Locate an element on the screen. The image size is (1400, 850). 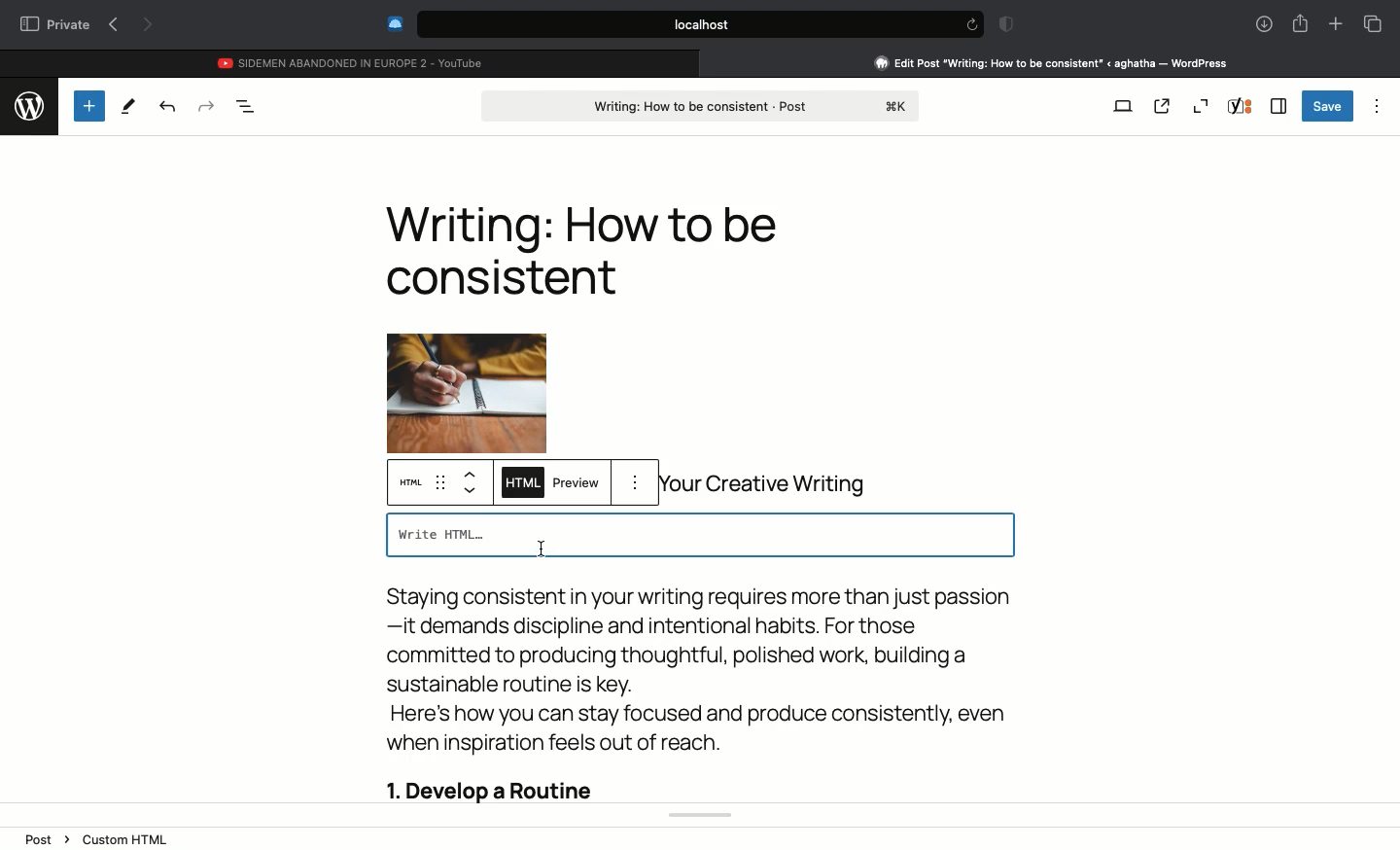
more options is located at coordinates (639, 483).